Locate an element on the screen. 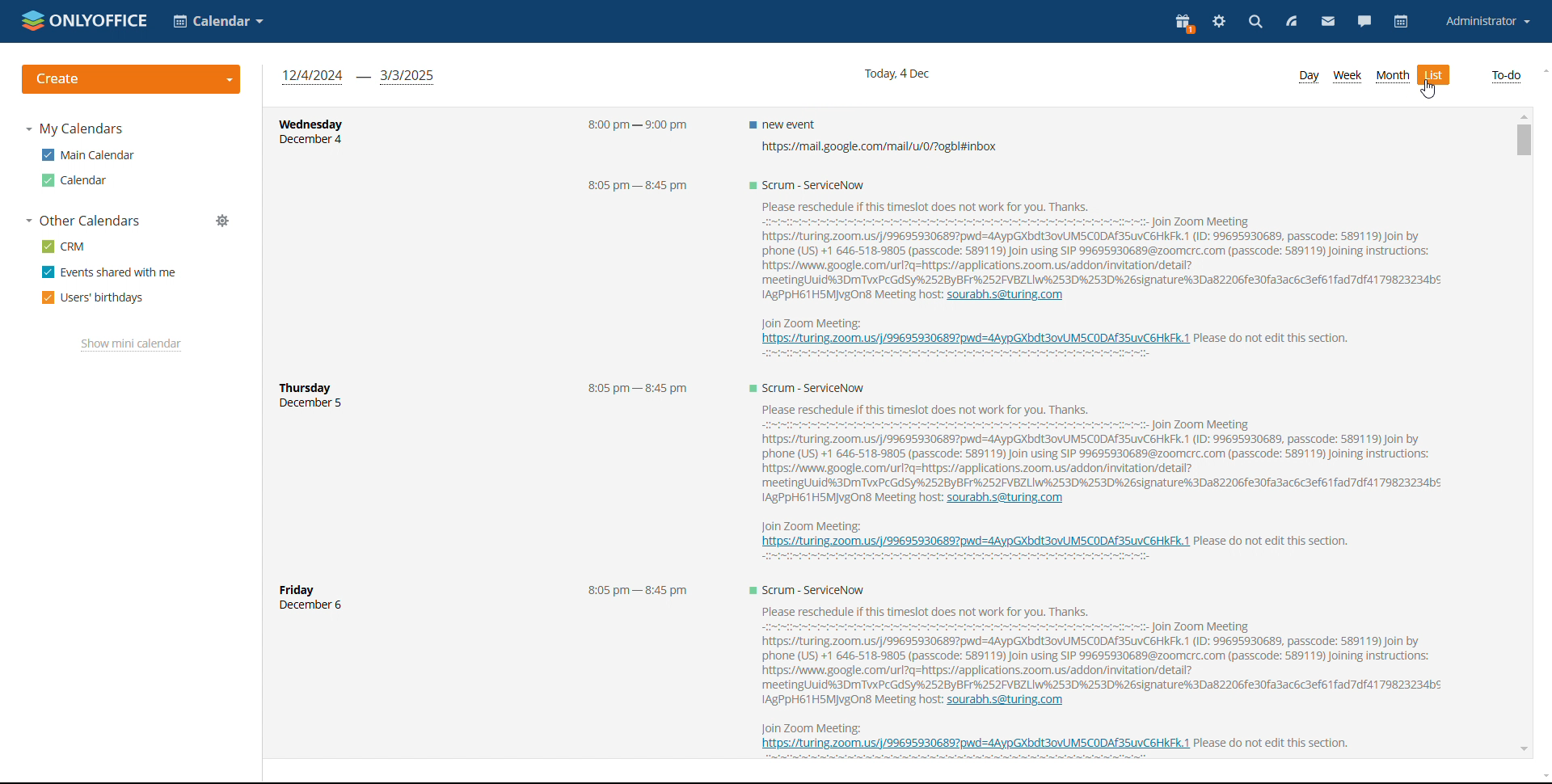  calendar is located at coordinates (73, 180).